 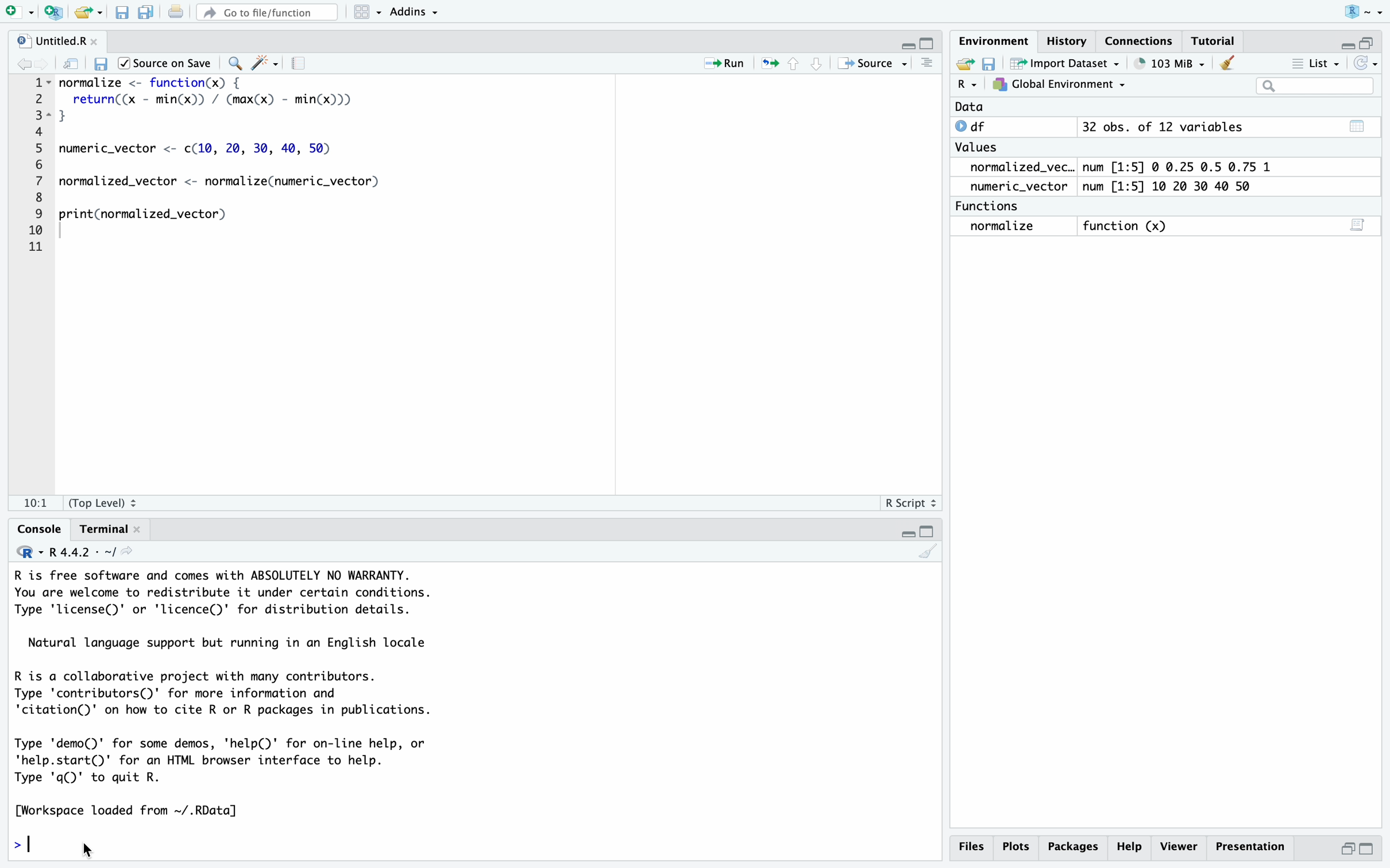 I want to click on Save current document (Ctrl + S), so click(x=102, y=61).